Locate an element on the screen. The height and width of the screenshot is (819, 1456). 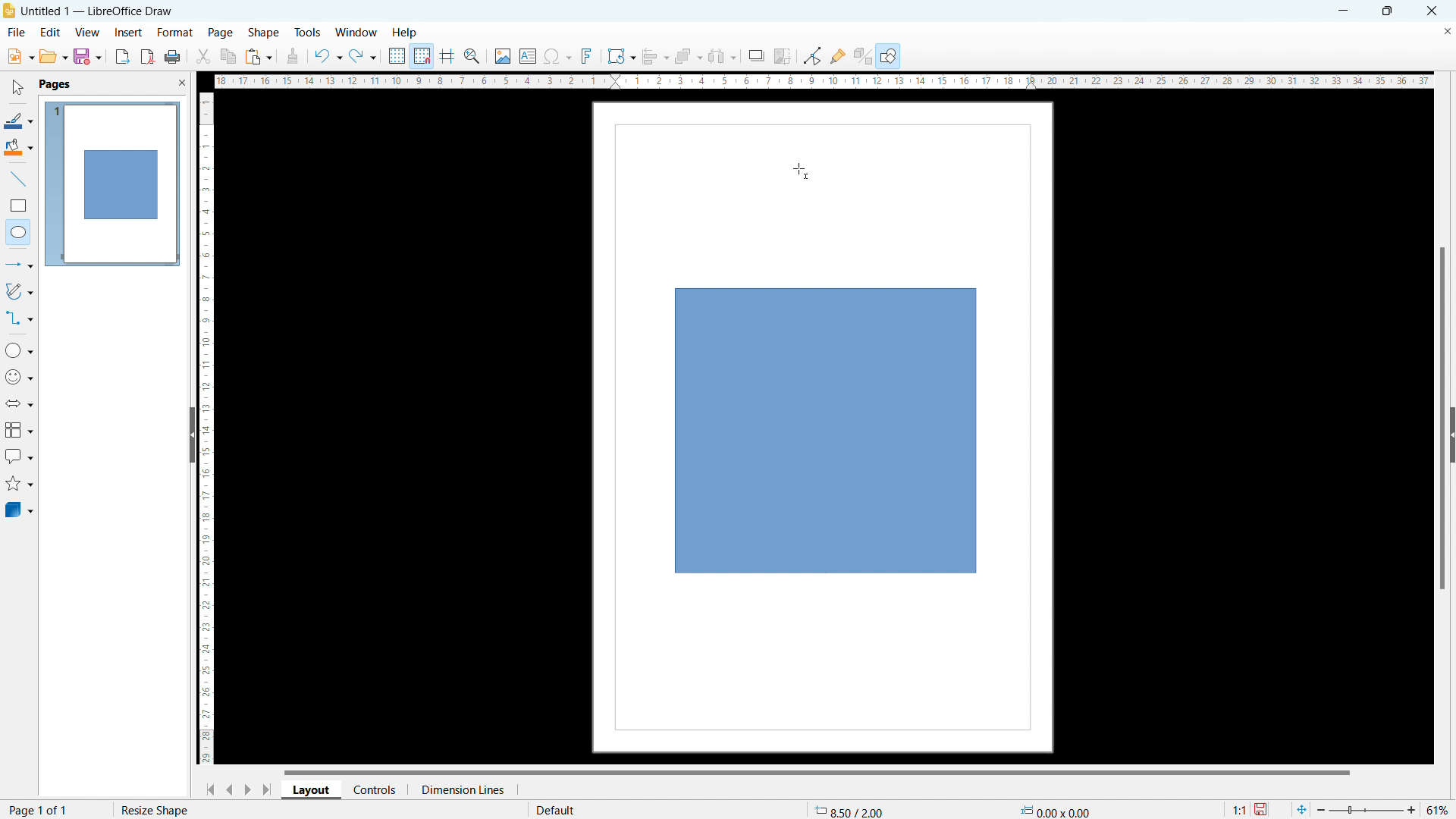
vertical ruler is located at coordinates (206, 428).